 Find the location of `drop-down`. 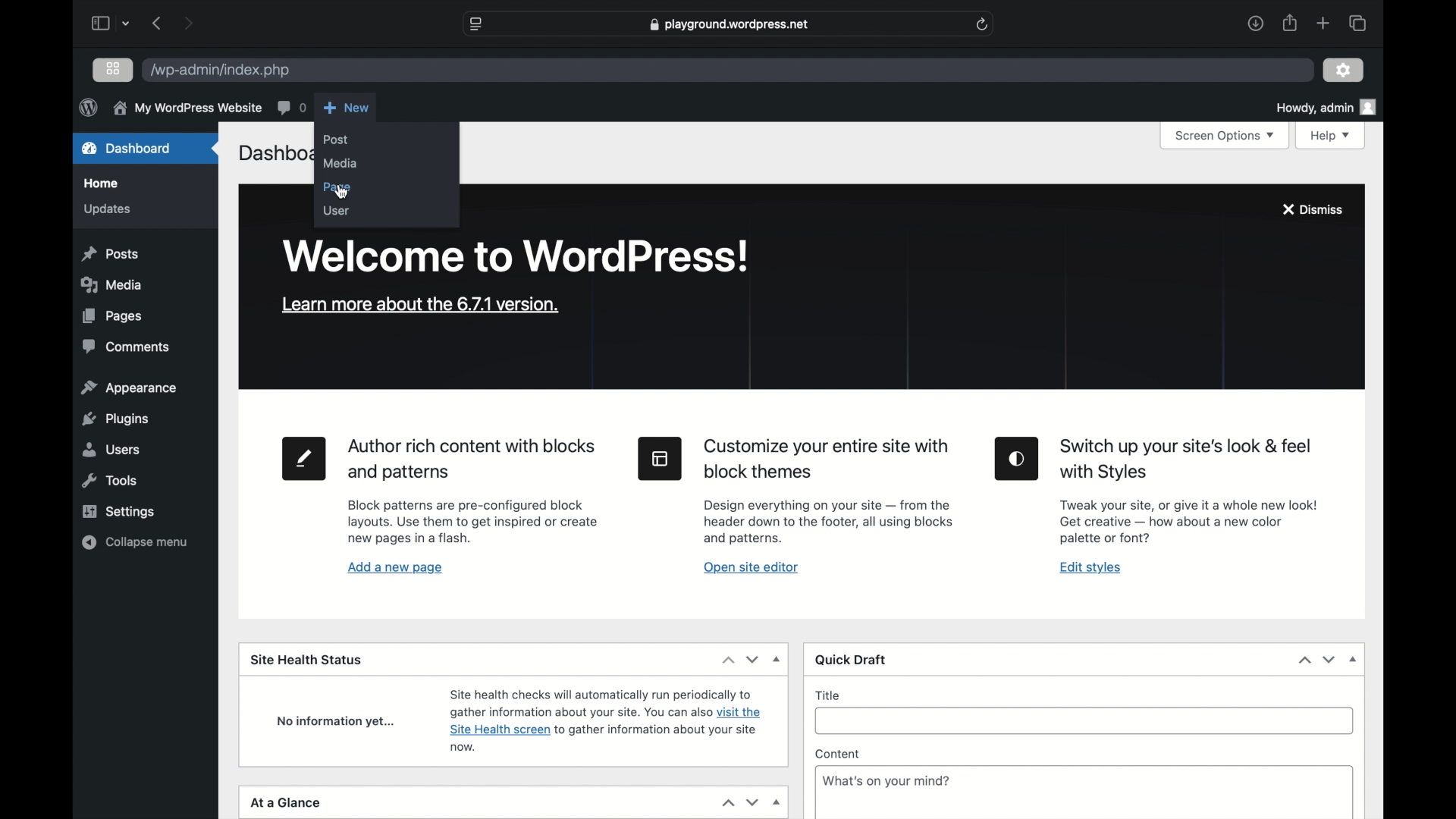

drop-down is located at coordinates (778, 803).